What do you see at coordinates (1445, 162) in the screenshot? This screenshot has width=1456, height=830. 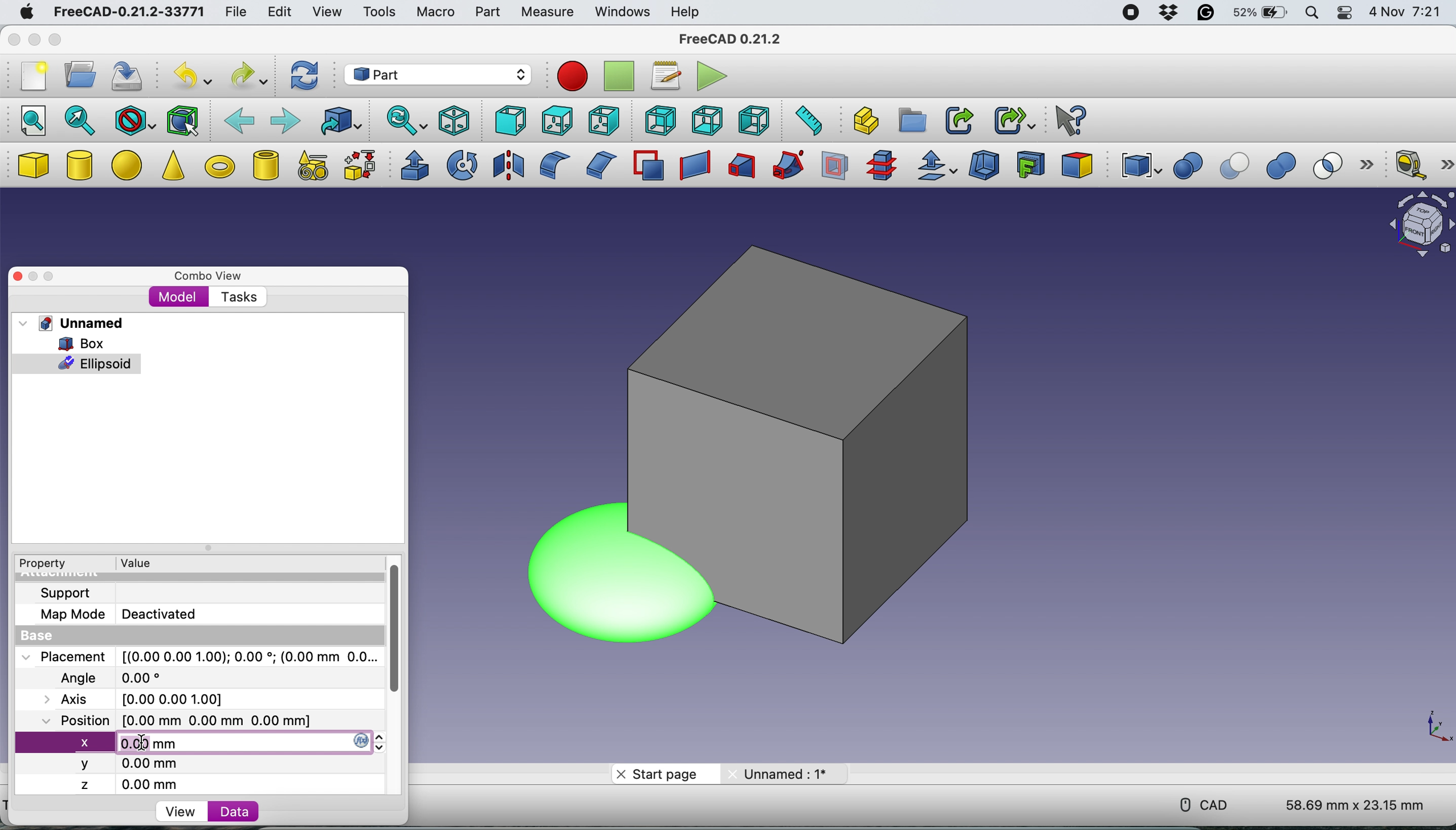 I see `more options` at bounding box center [1445, 162].